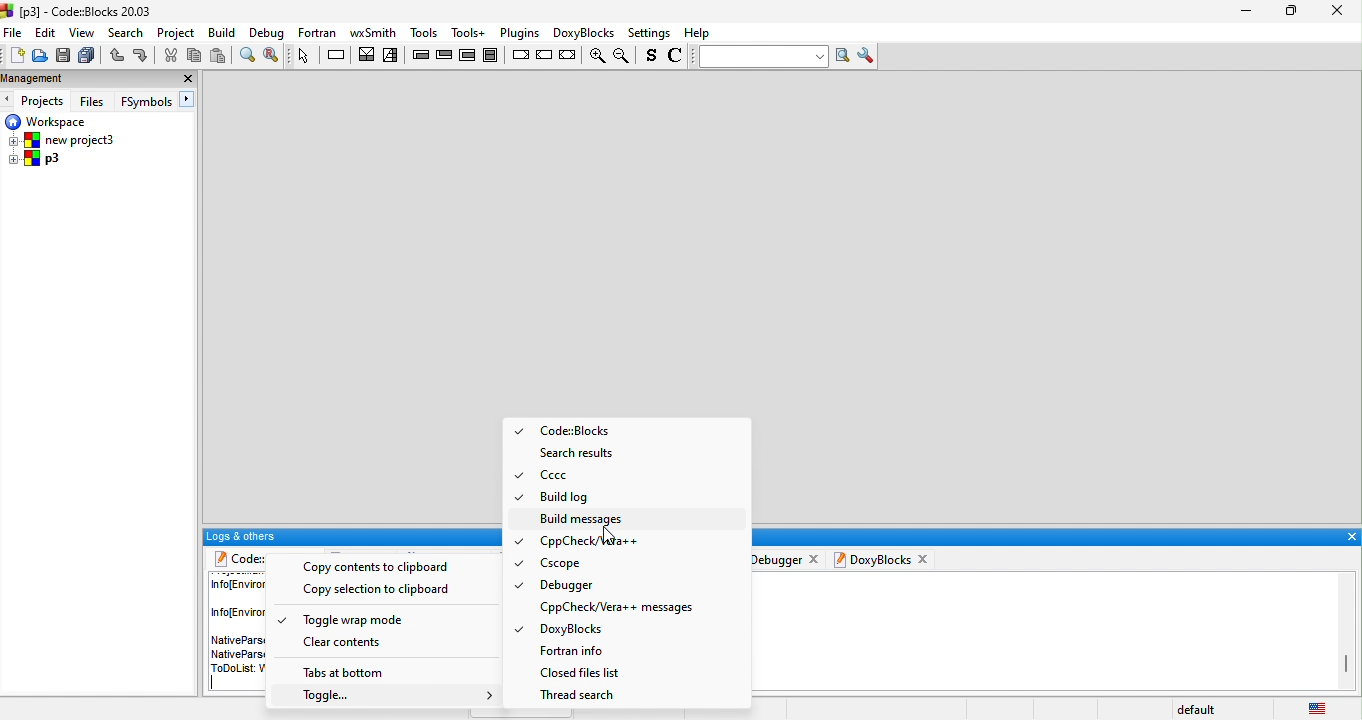 This screenshot has width=1362, height=720. Describe the element at coordinates (873, 559) in the screenshot. I see `doxyblocks` at that location.